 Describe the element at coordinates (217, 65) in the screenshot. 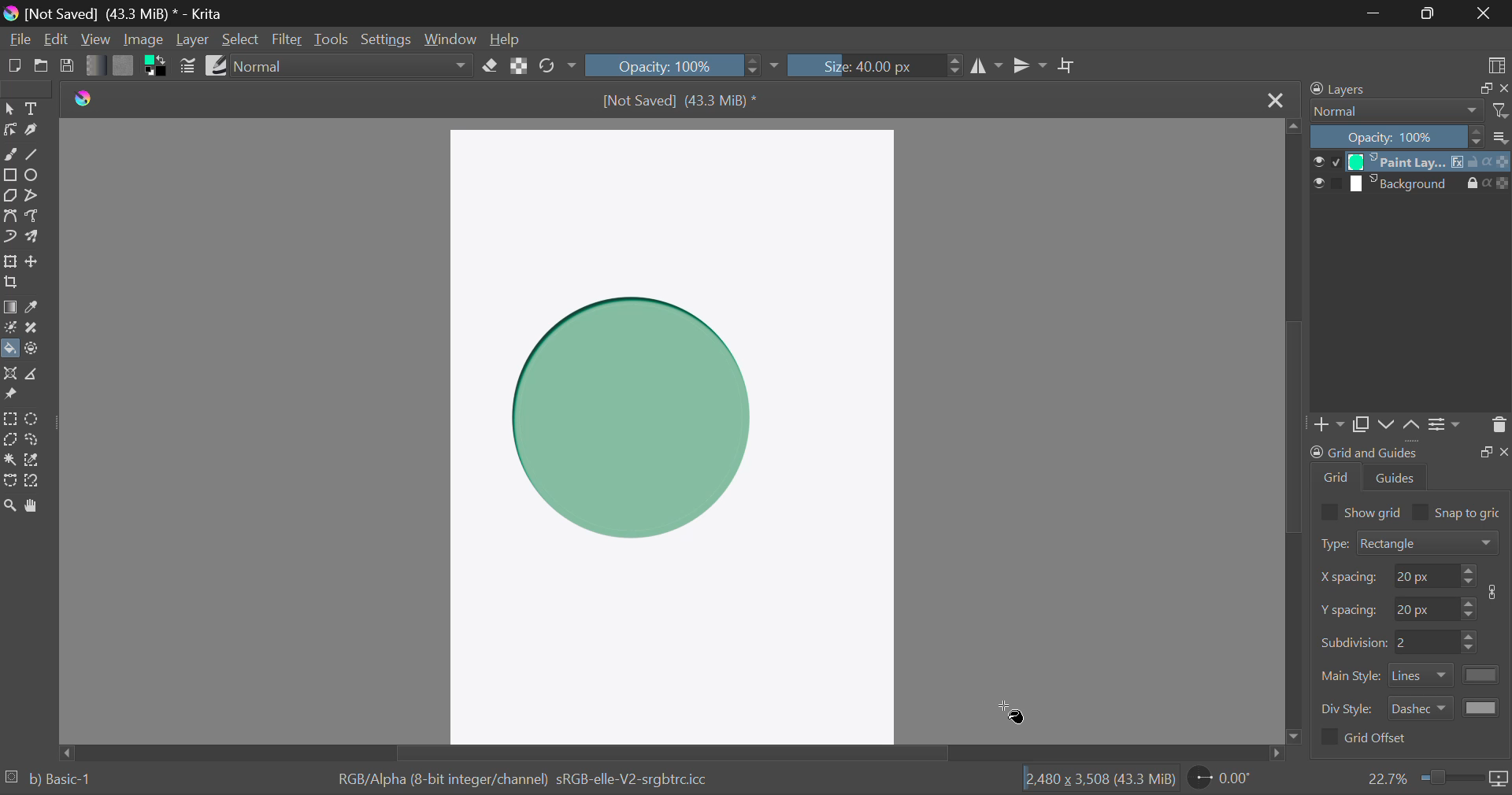

I see `Brush Presets` at that location.